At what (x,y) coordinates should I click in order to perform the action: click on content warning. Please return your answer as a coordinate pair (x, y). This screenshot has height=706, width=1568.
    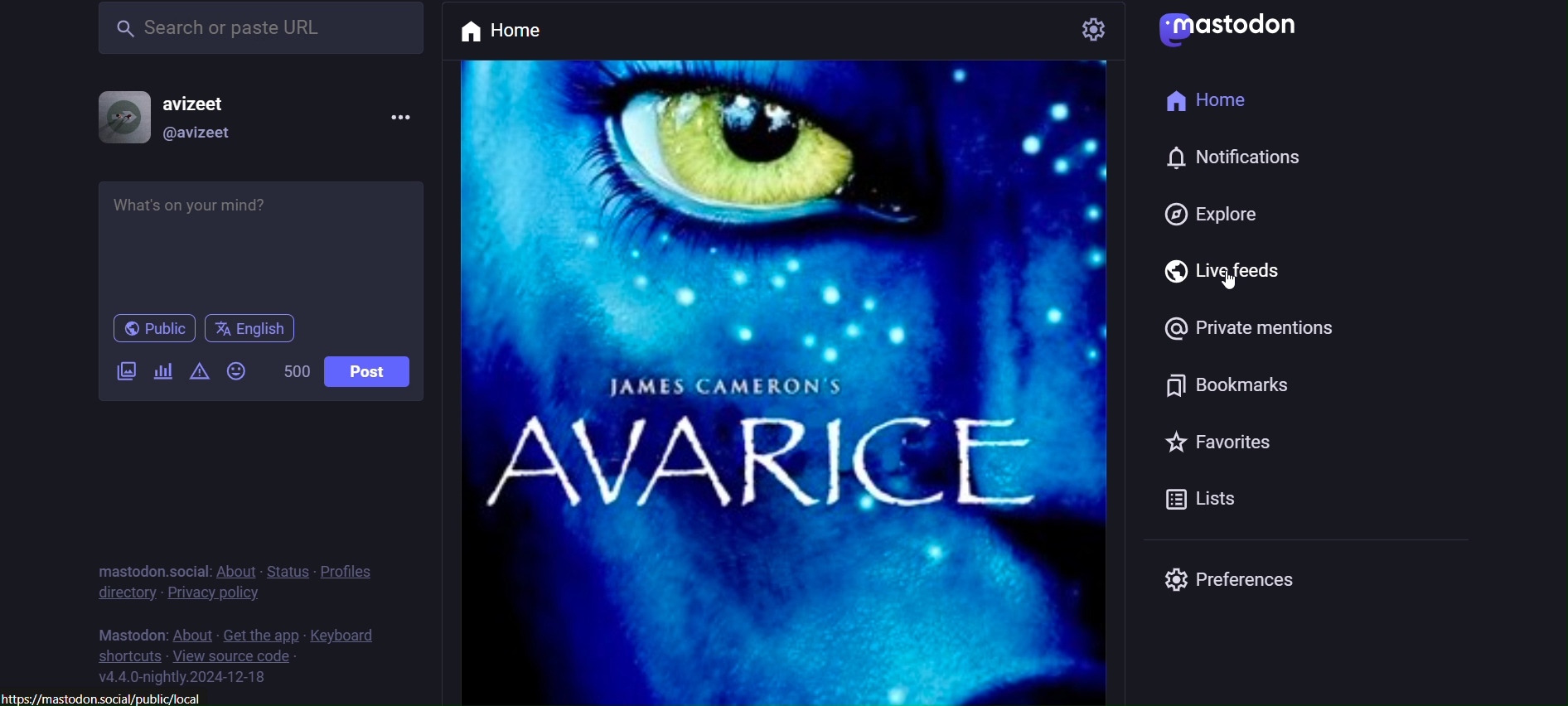
    Looking at the image, I should click on (201, 375).